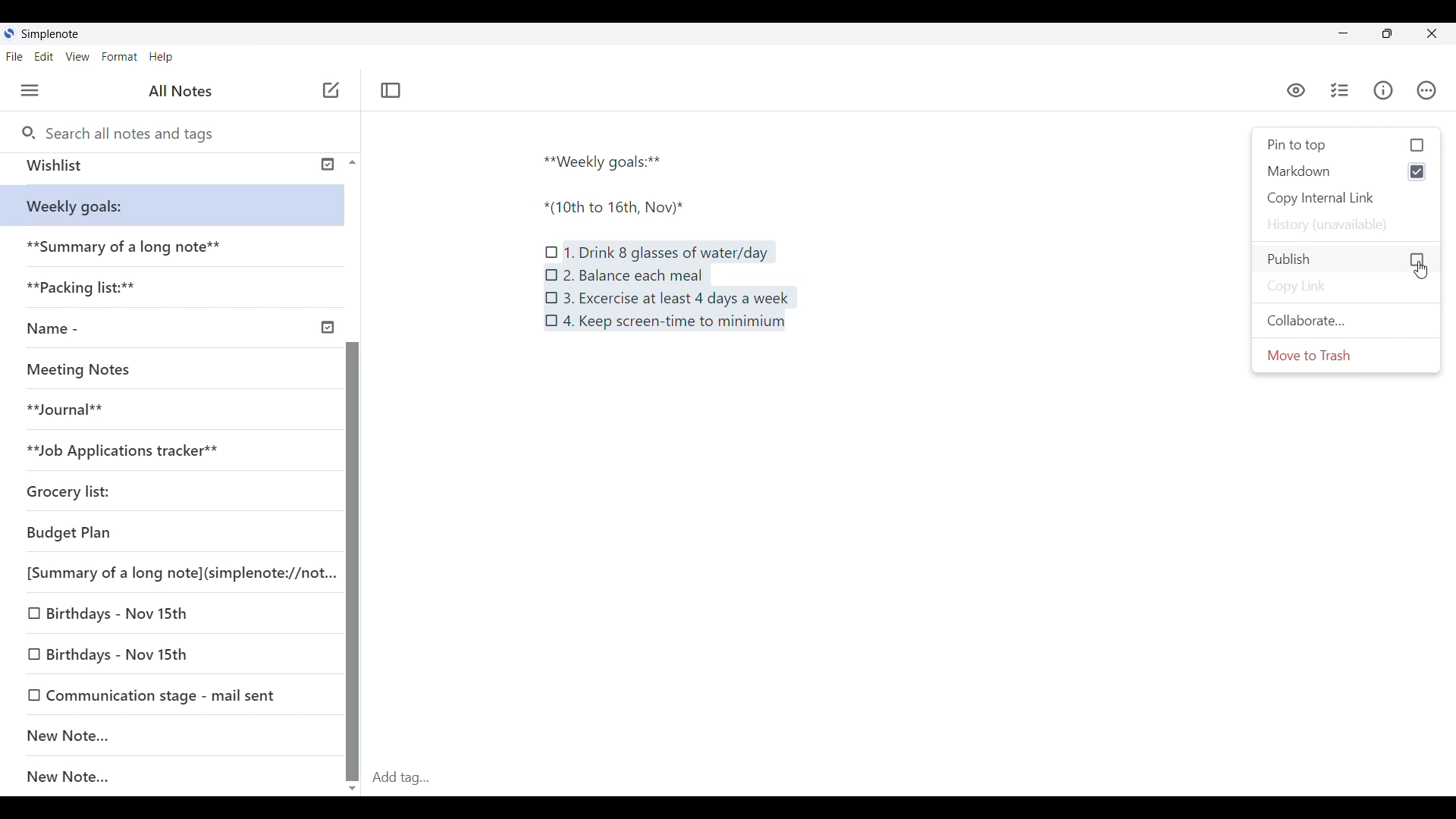  What do you see at coordinates (1433, 90) in the screenshot?
I see `Actions` at bounding box center [1433, 90].